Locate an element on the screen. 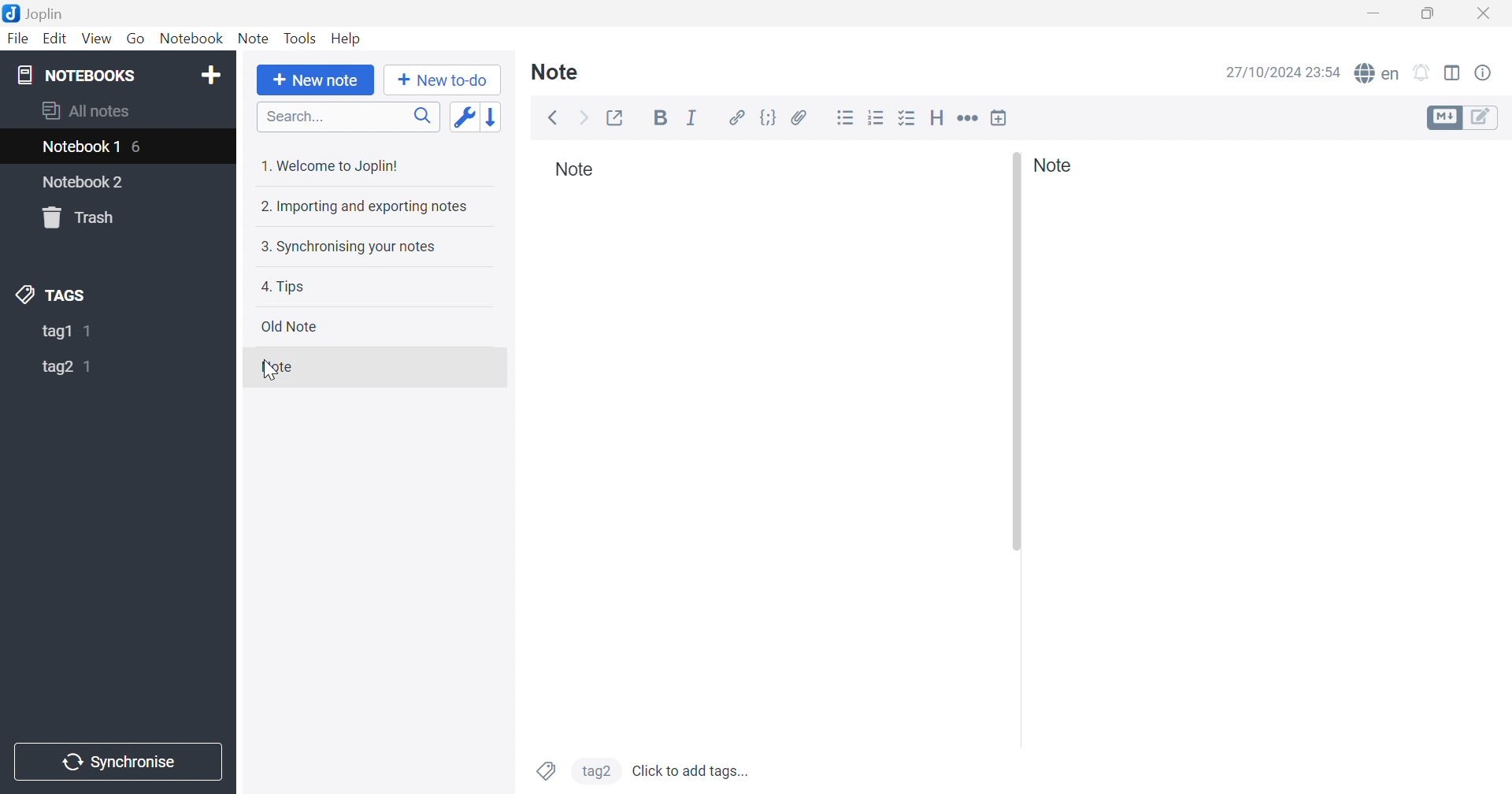 This screenshot has height=794, width=1512. +New to-do is located at coordinates (447, 81).